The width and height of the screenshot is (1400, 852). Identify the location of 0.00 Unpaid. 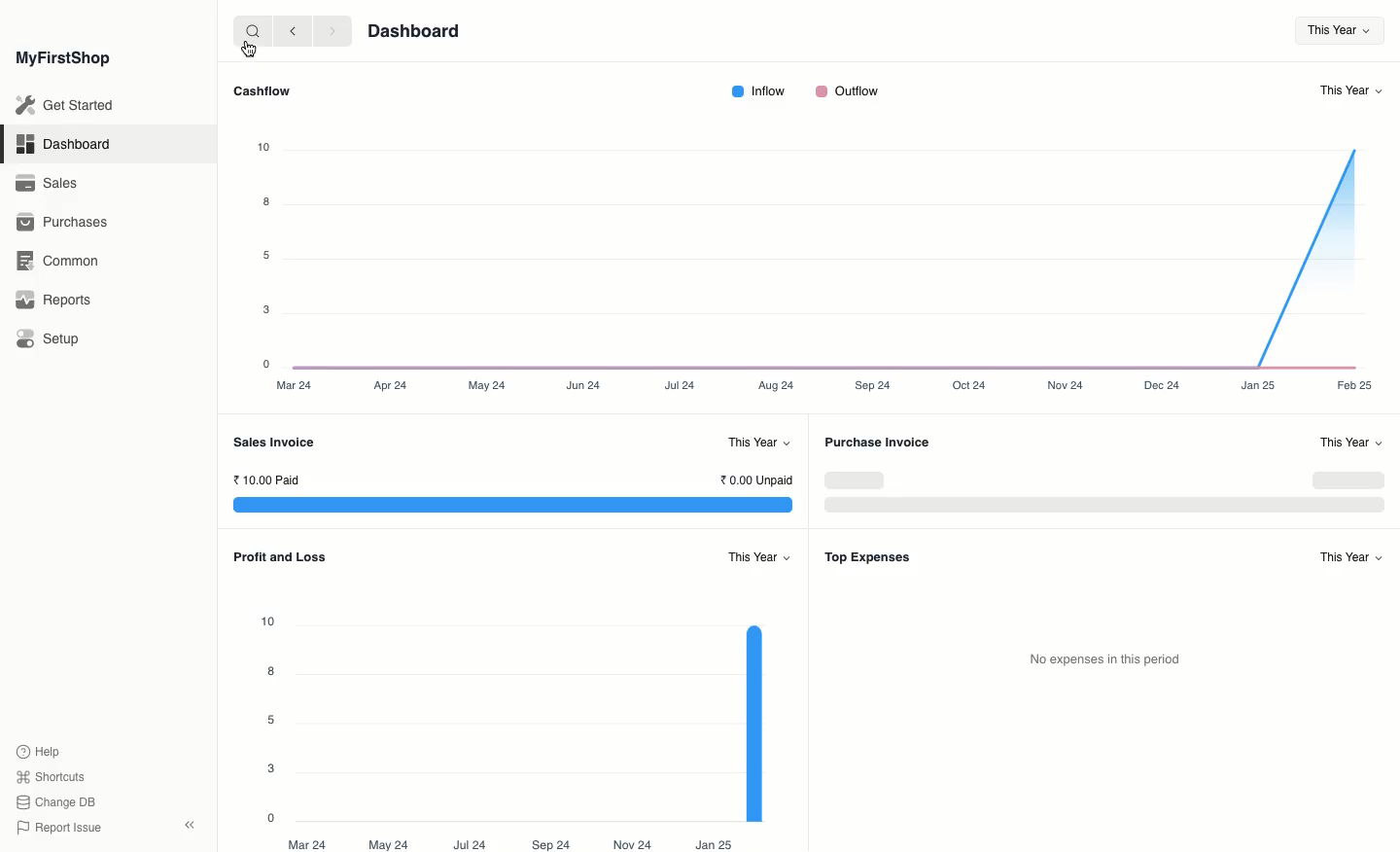
(752, 481).